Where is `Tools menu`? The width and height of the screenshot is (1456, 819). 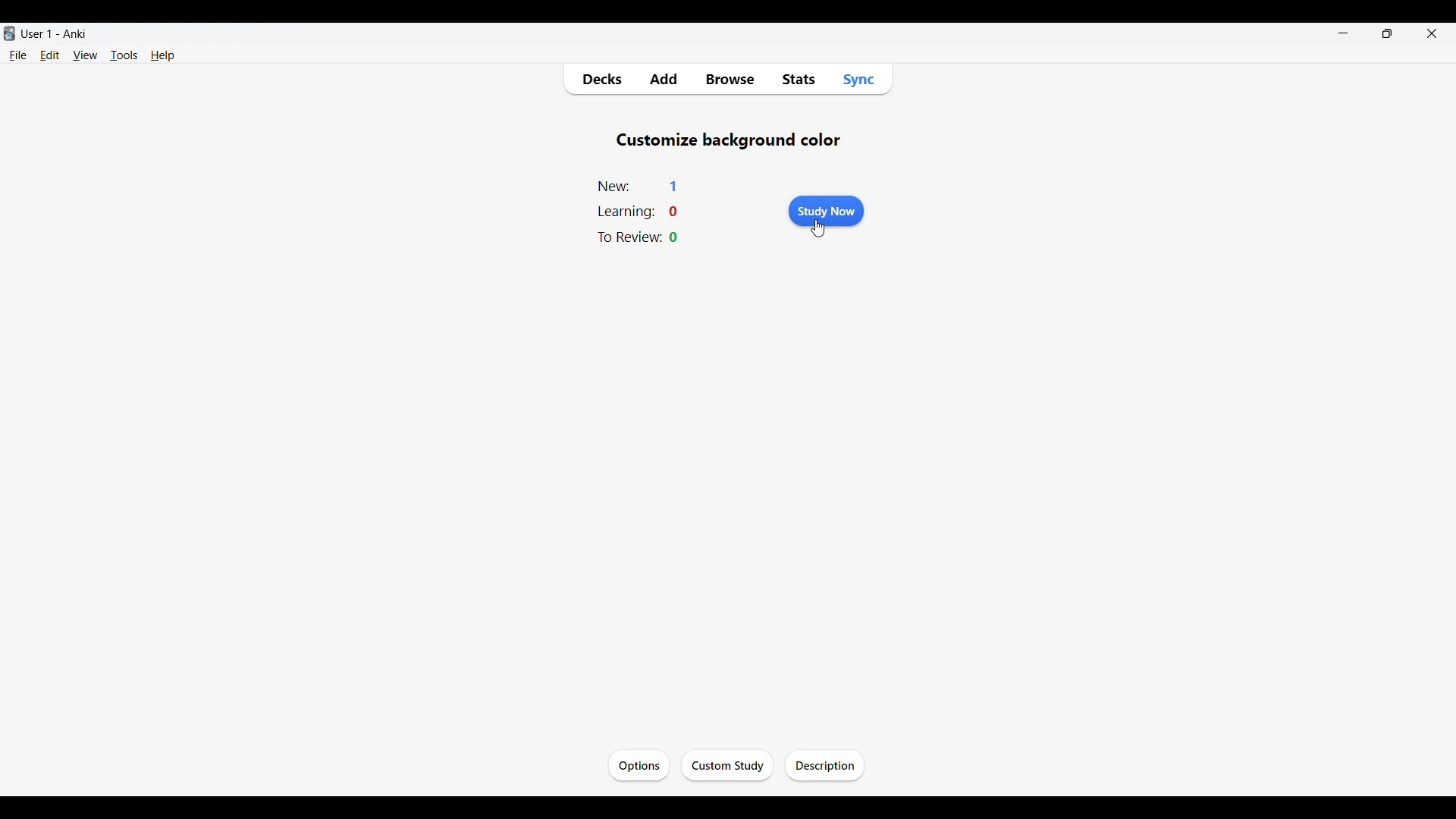 Tools menu is located at coordinates (124, 55).